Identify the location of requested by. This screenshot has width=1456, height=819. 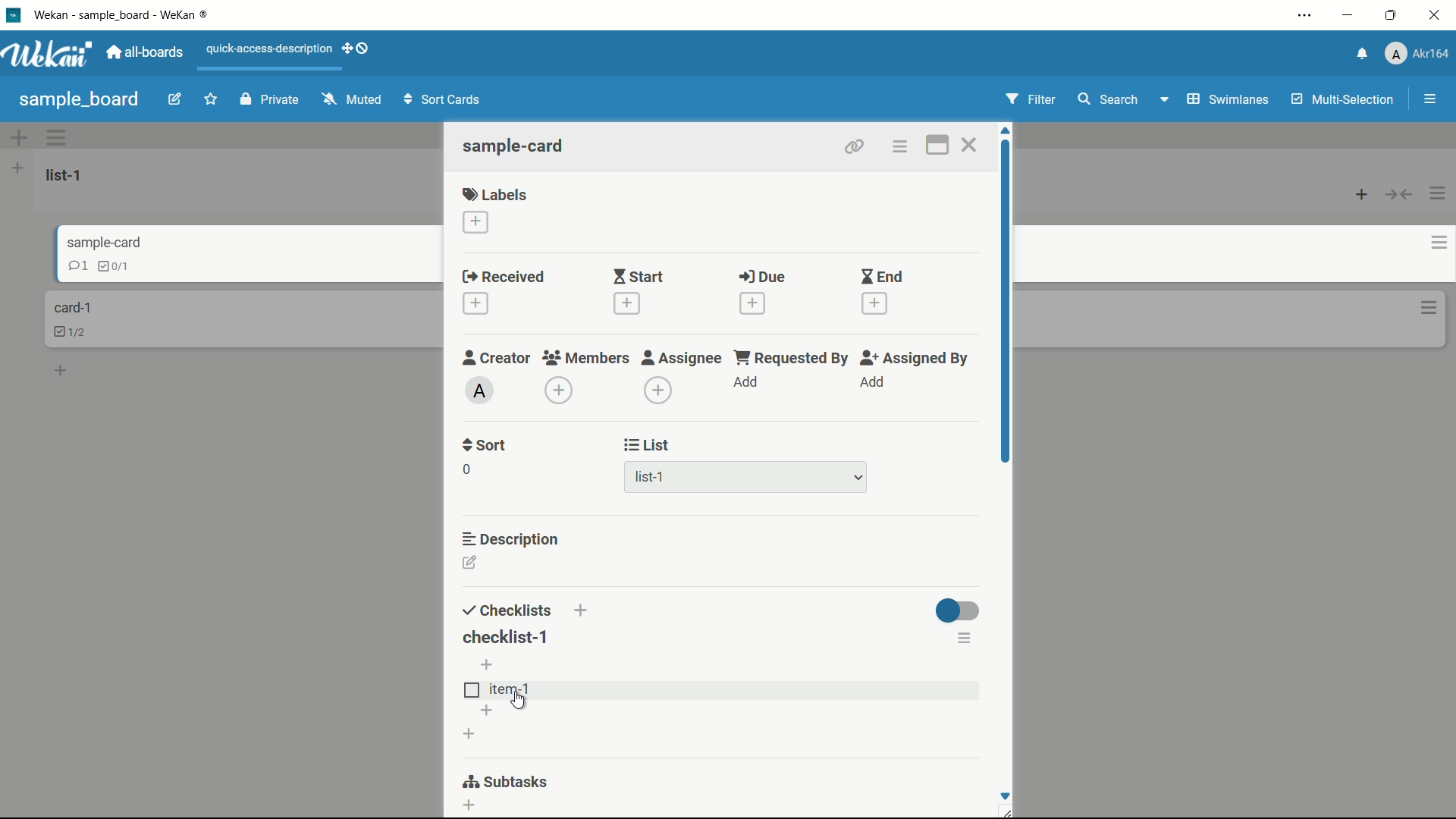
(793, 358).